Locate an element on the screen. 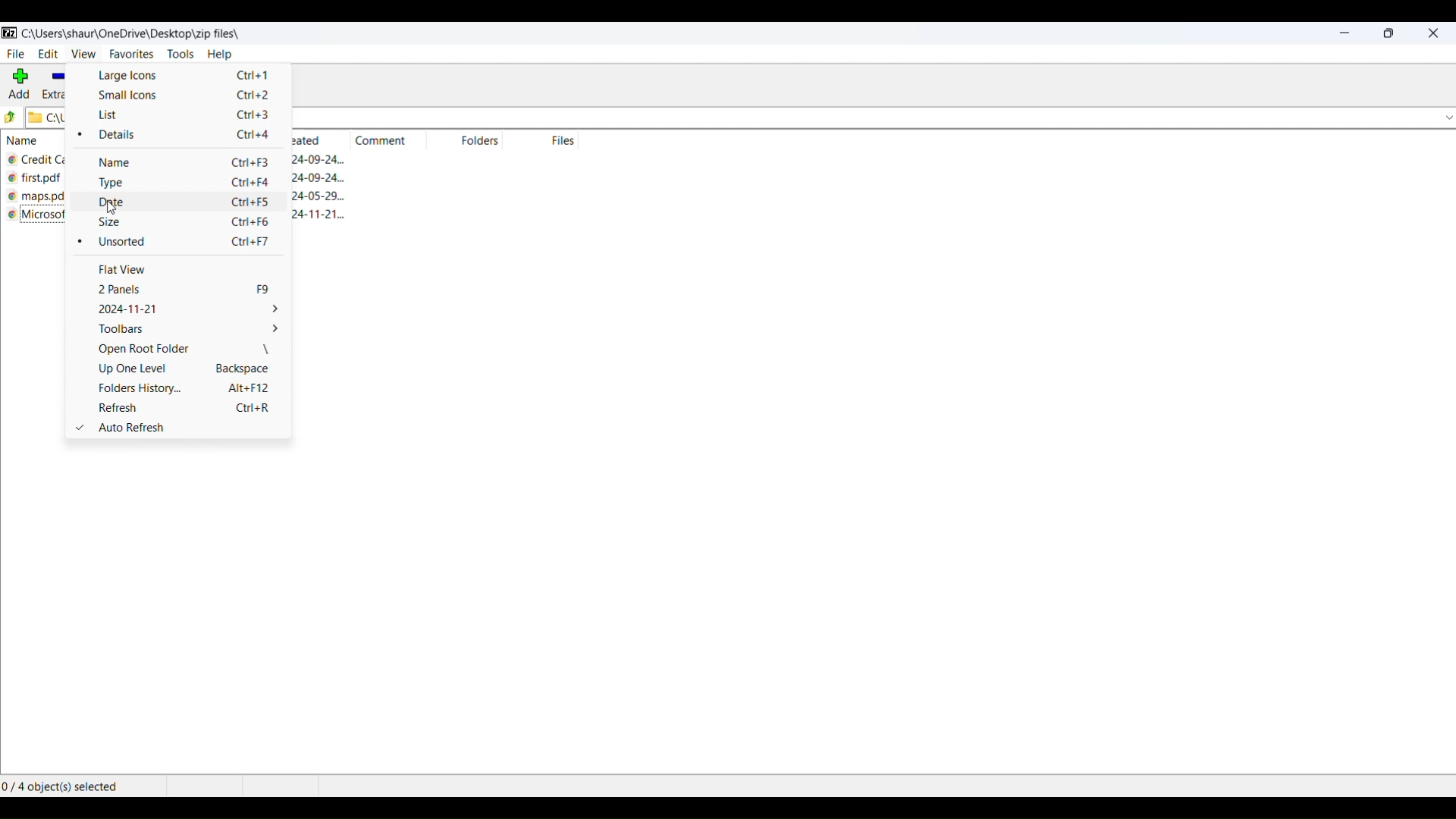 Image resolution: width=1456 pixels, height=819 pixels. list is located at coordinates (187, 116).